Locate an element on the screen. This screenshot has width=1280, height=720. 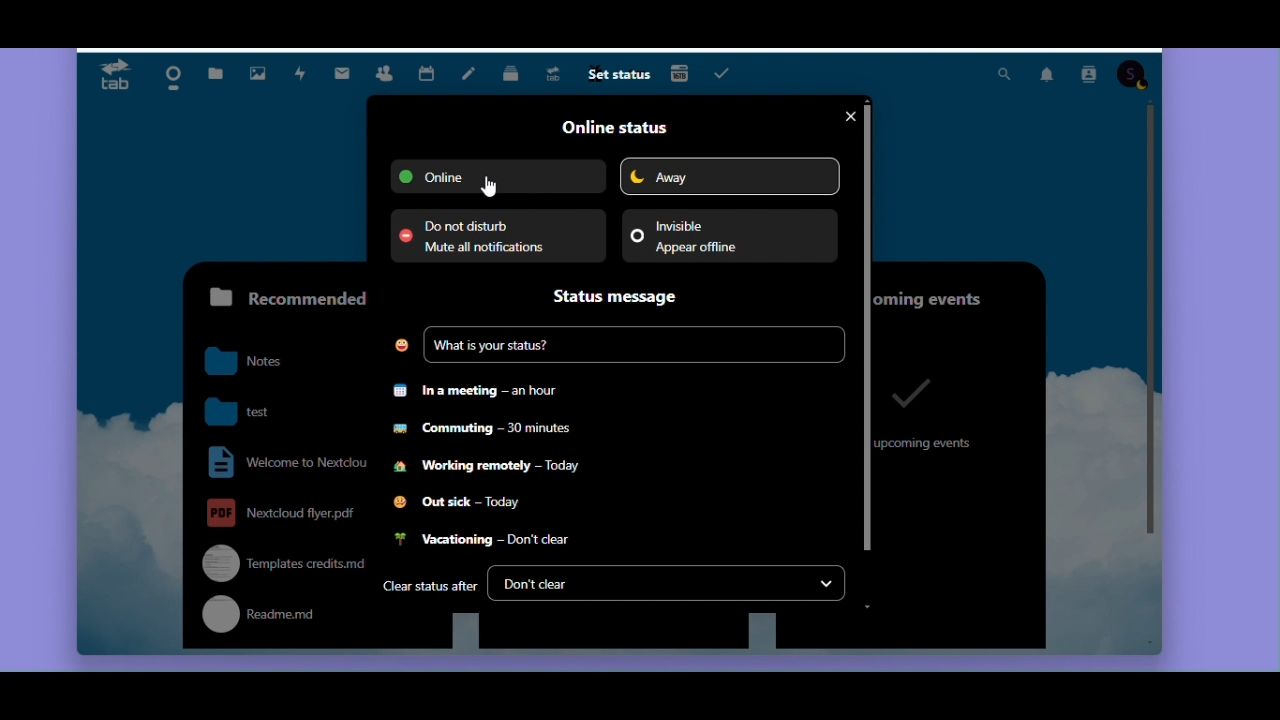
16GB is located at coordinates (680, 72).